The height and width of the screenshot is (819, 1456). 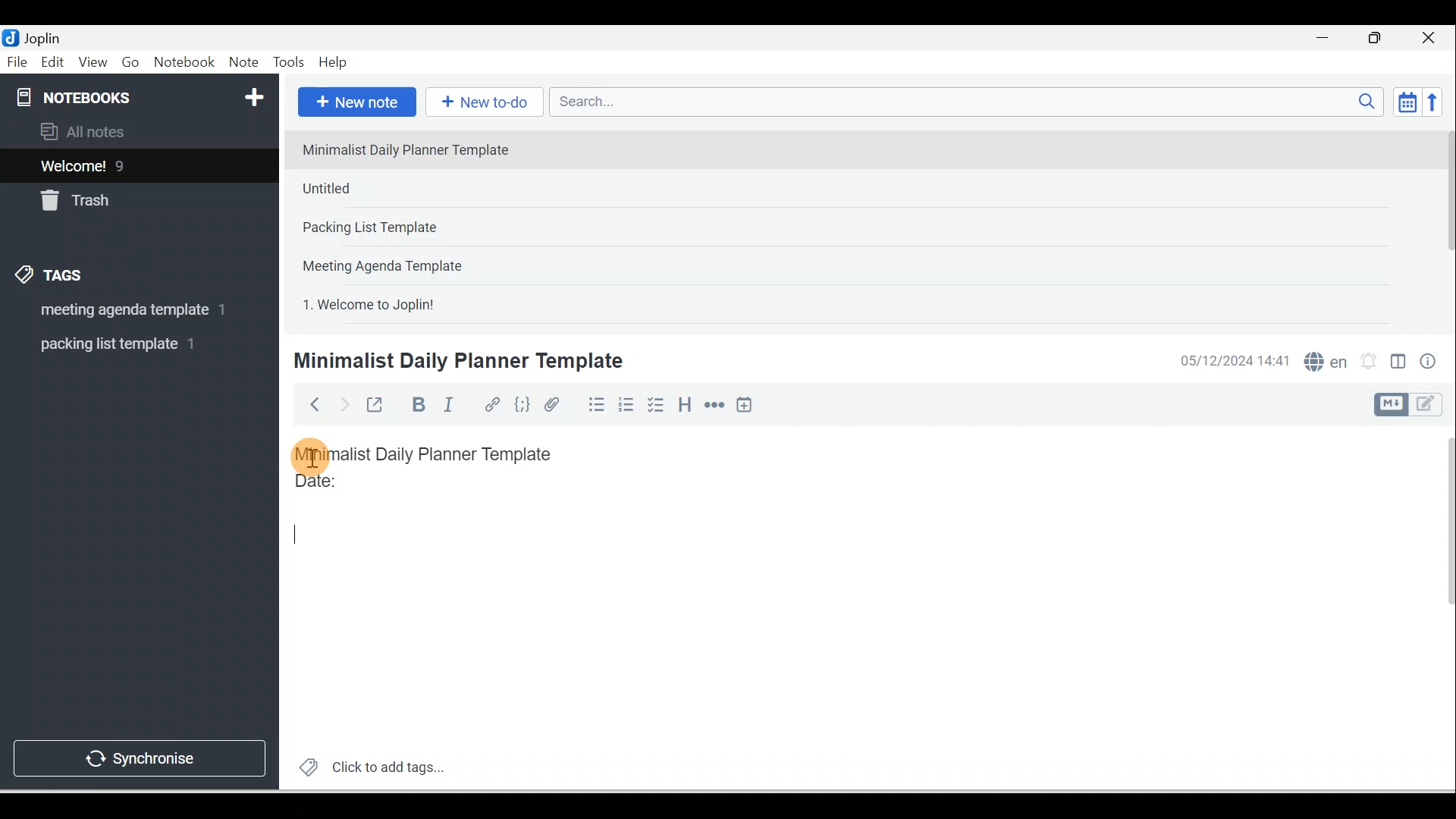 I want to click on Code, so click(x=522, y=406).